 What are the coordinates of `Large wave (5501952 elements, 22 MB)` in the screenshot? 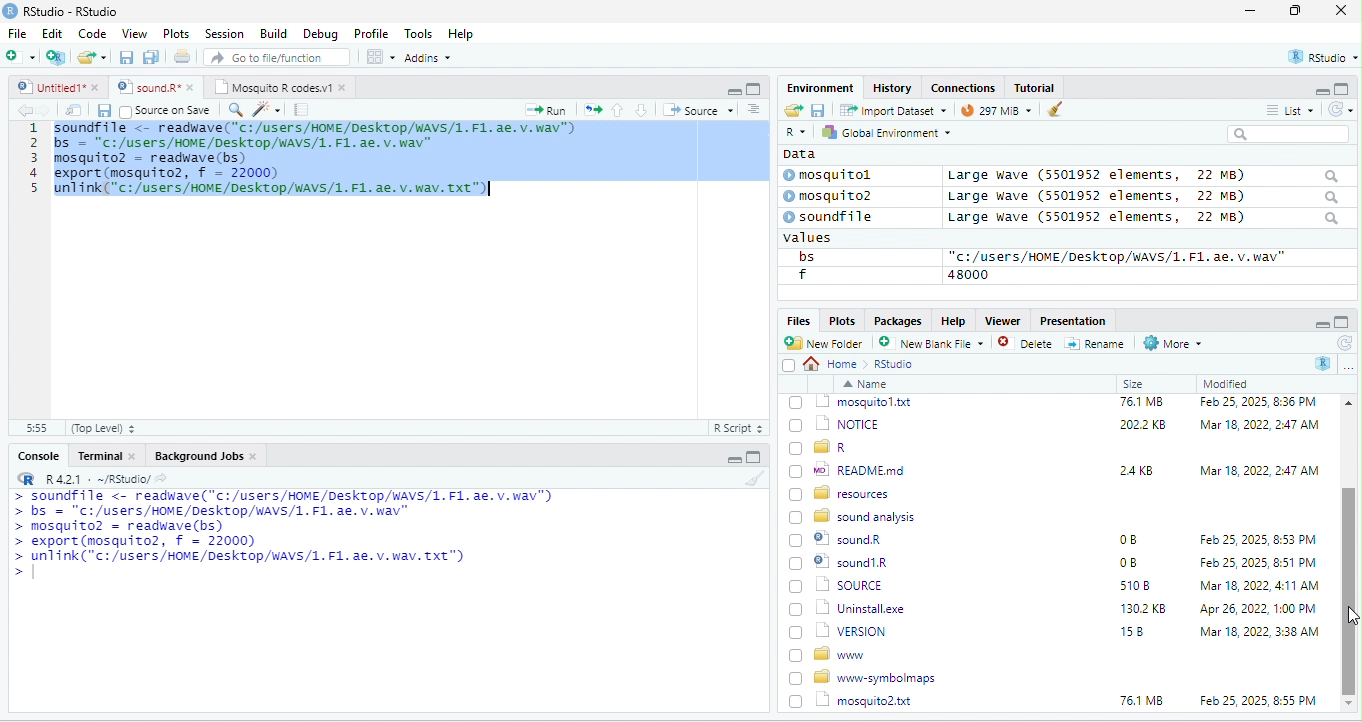 It's located at (1142, 175).